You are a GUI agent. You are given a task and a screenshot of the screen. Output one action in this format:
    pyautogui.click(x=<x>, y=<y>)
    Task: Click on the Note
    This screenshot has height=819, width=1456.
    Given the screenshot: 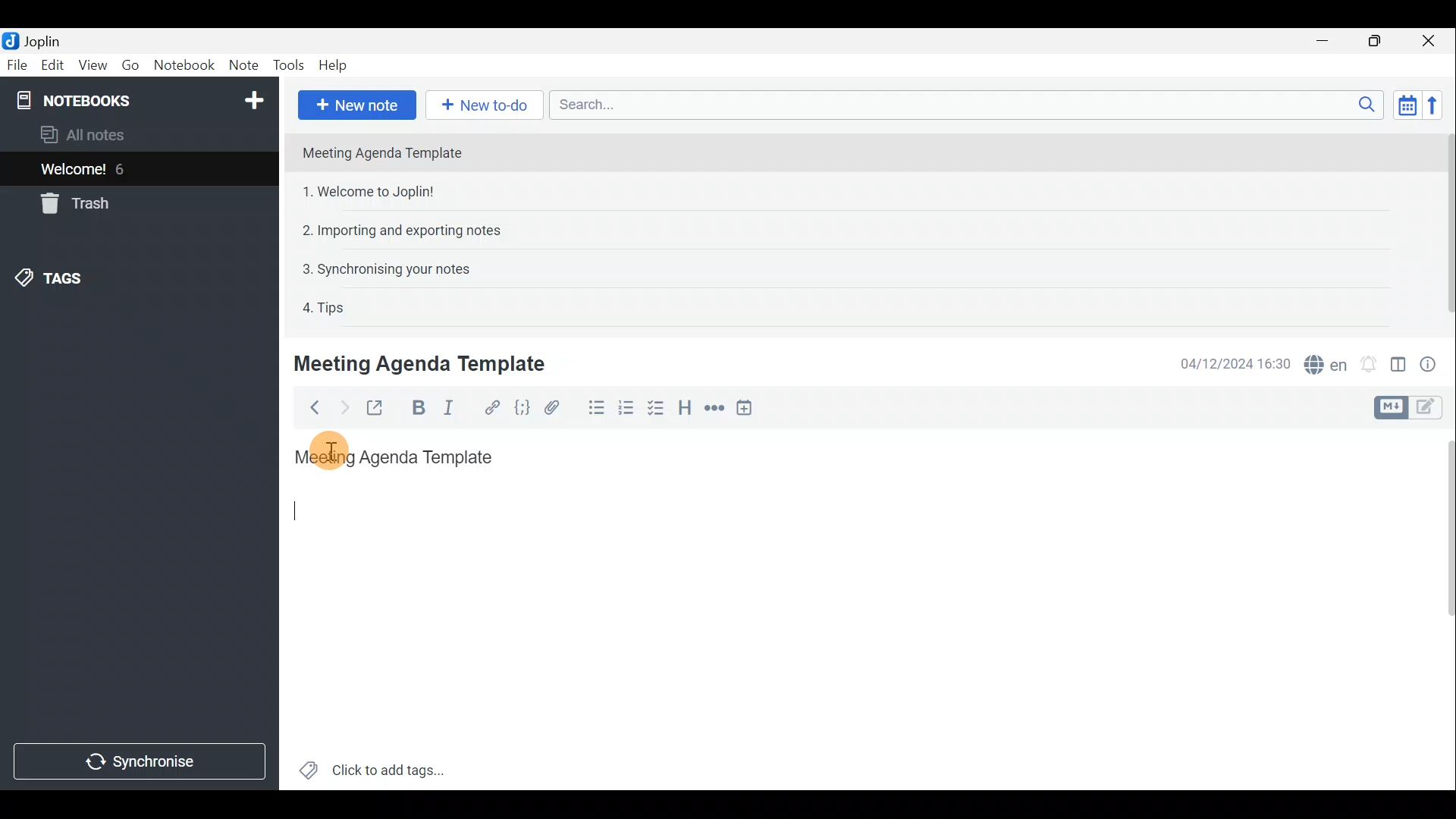 What is the action you would take?
    pyautogui.click(x=243, y=62)
    